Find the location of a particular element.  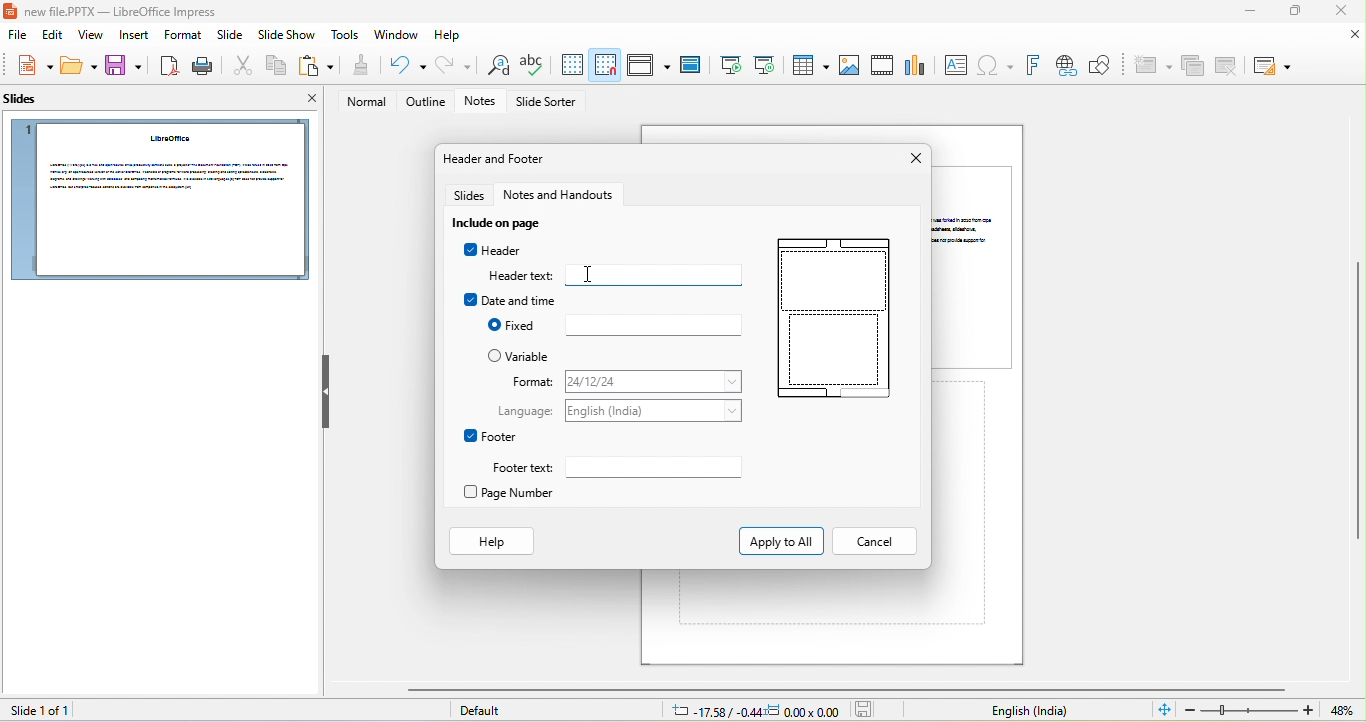

display to grid is located at coordinates (571, 65).